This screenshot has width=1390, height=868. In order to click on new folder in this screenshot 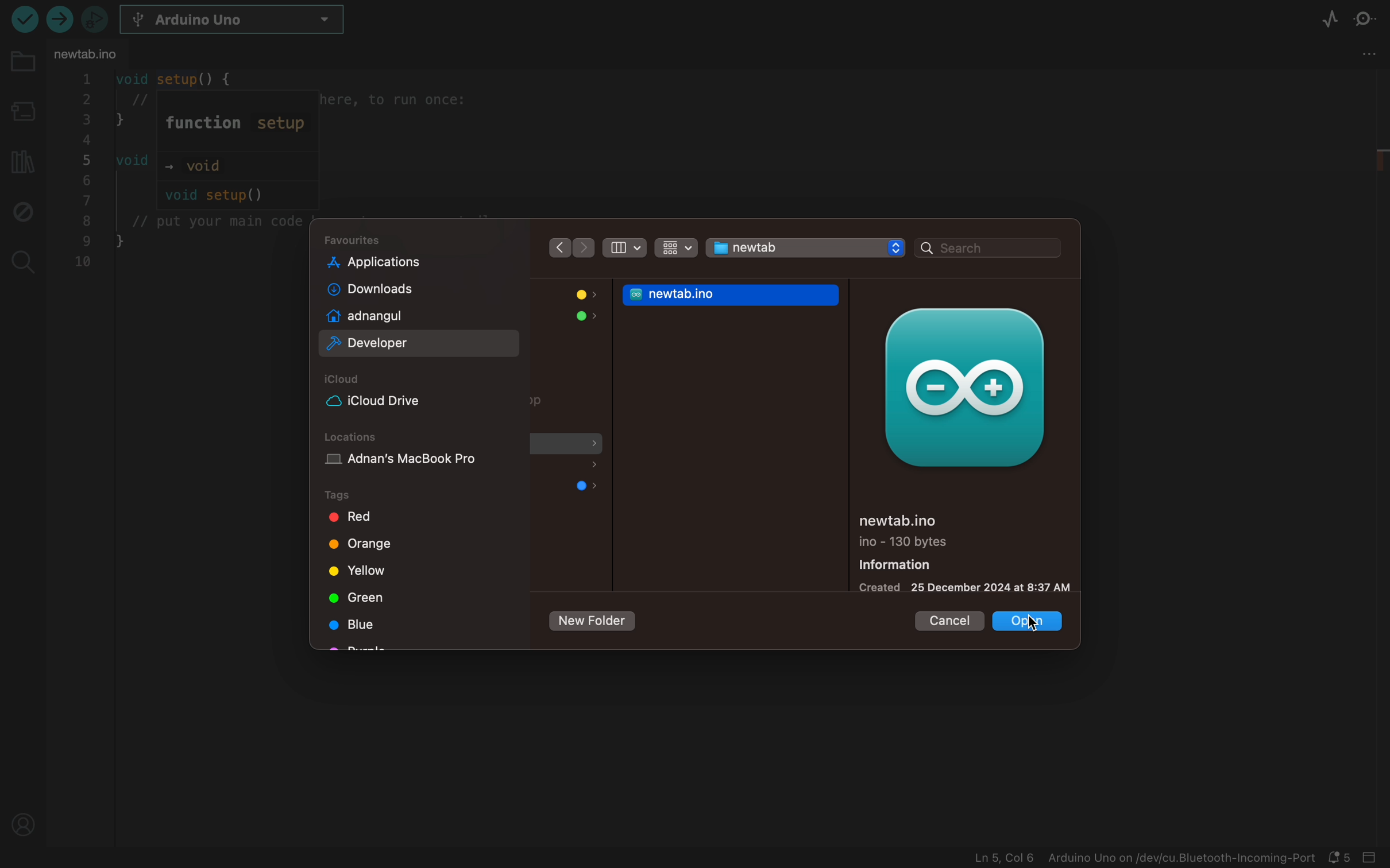, I will do `click(591, 622)`.